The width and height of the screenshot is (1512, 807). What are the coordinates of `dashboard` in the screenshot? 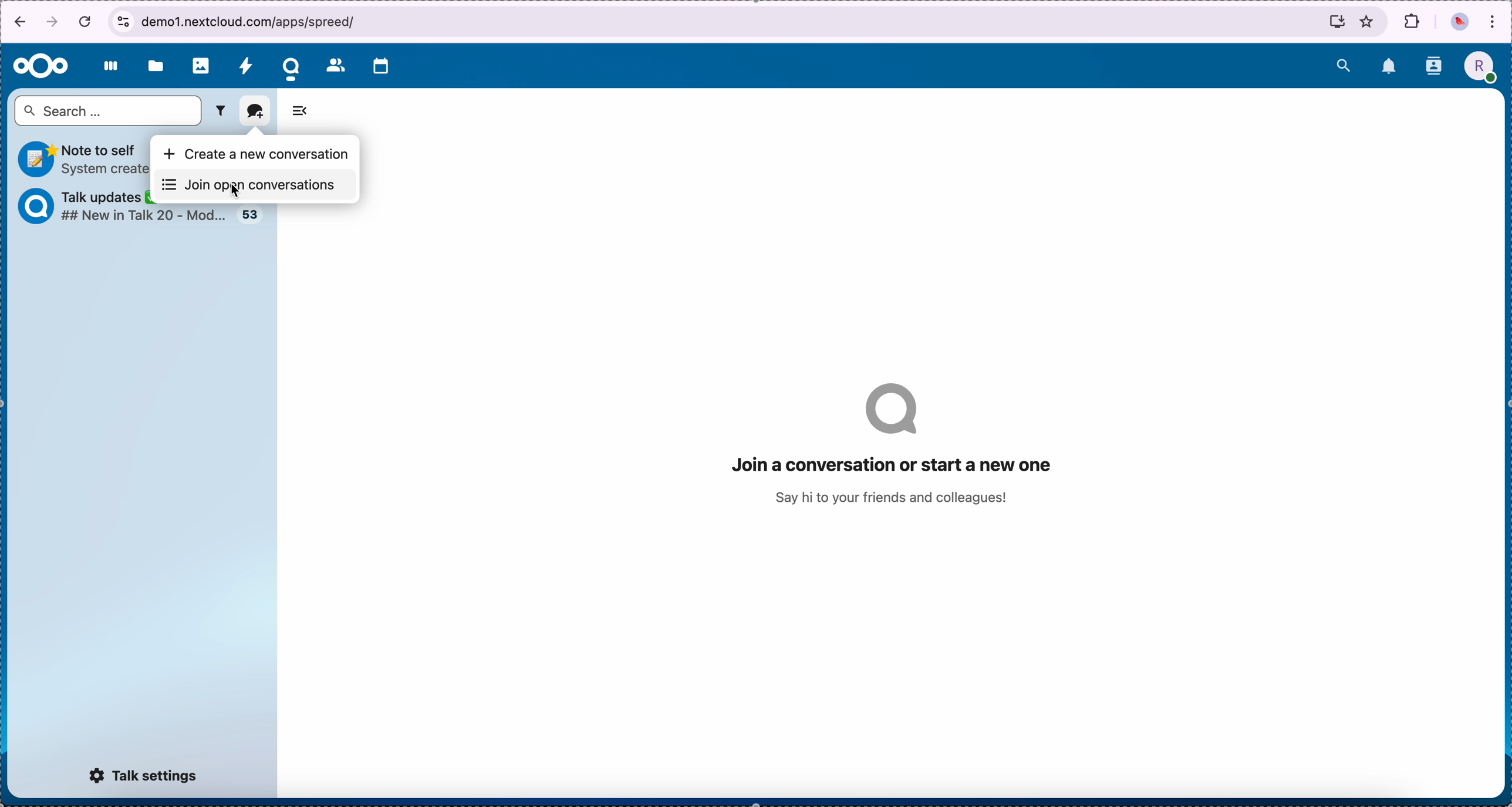 It's located at (110, 67).